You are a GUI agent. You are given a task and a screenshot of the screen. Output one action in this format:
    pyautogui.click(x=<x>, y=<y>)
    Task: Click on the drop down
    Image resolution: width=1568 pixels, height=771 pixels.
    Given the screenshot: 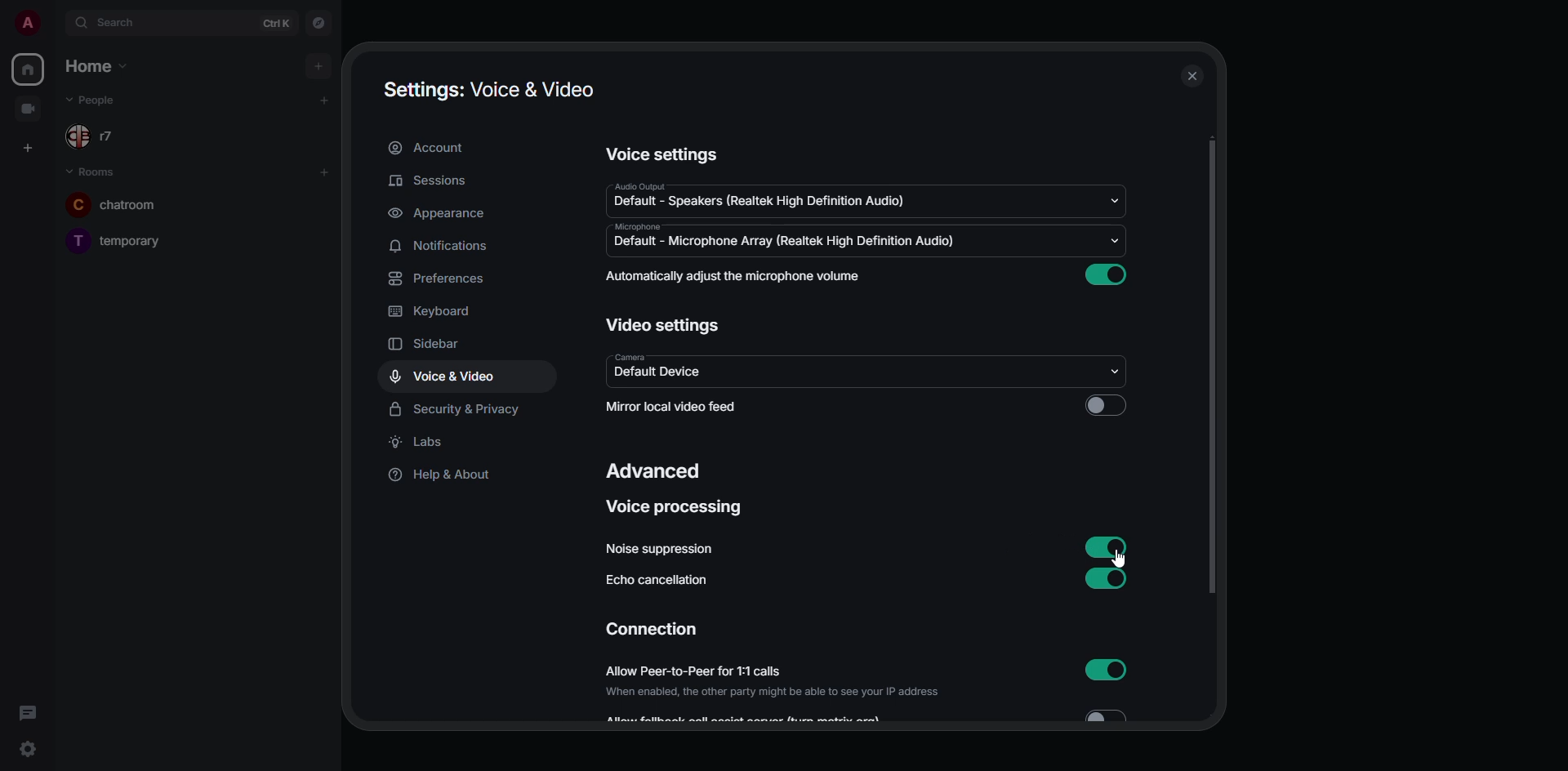 What is the action you would take?
    pyautogui.click(x=1114, y=200)
    